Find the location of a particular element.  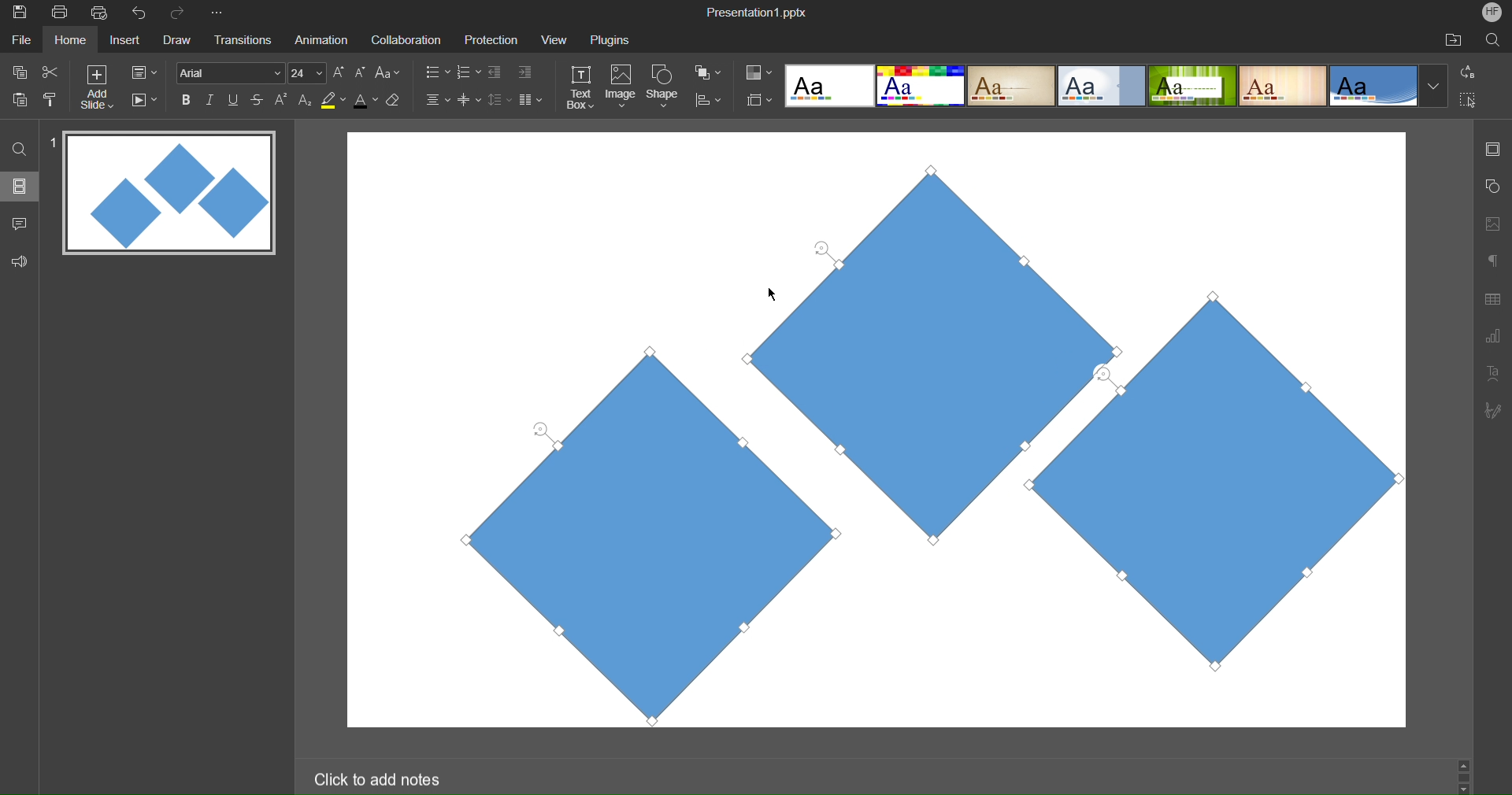

Shape Settings is located at coordinates (1492, 187).